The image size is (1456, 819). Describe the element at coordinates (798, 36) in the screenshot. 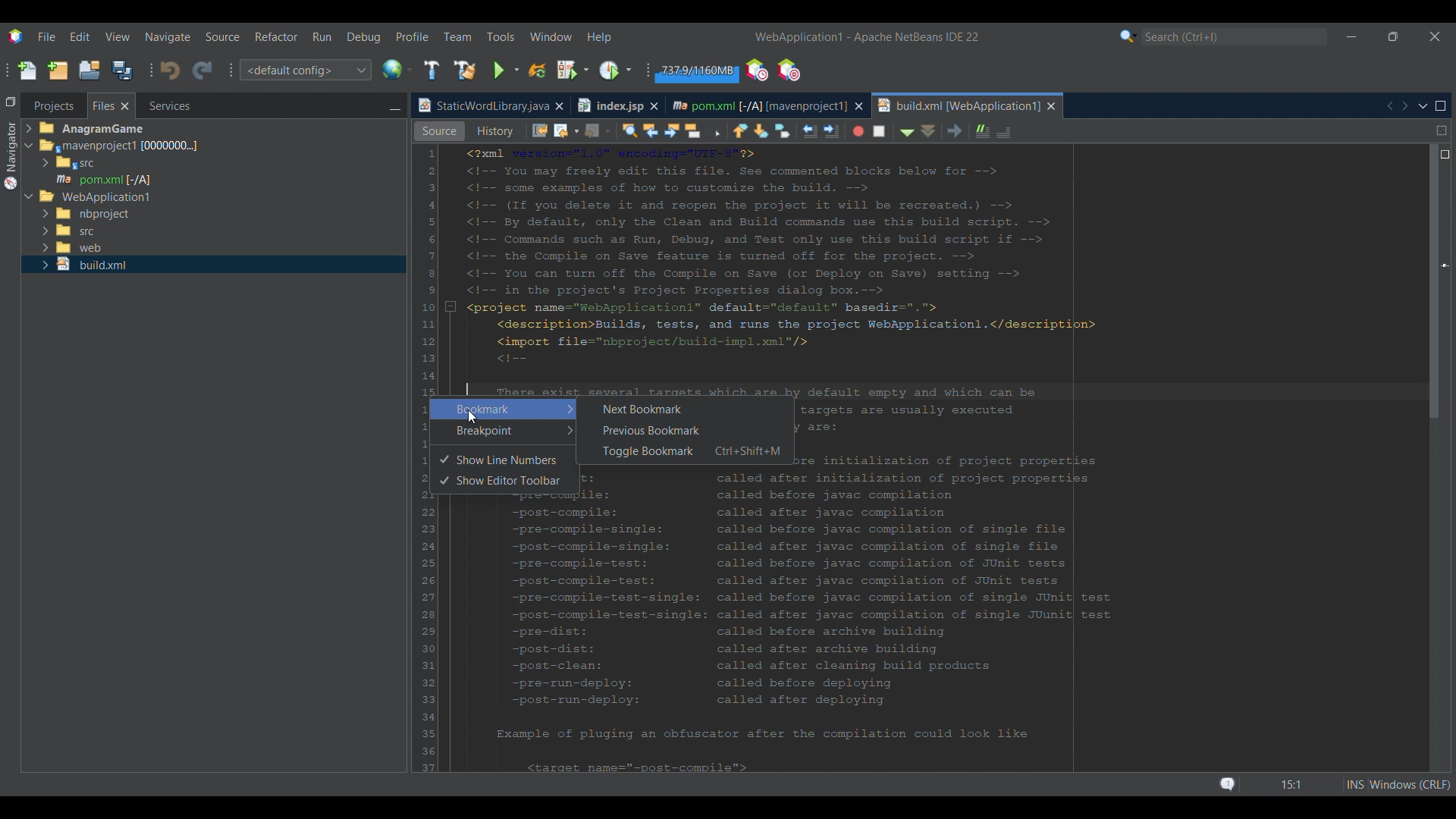

I see `Project name changed` at that location.